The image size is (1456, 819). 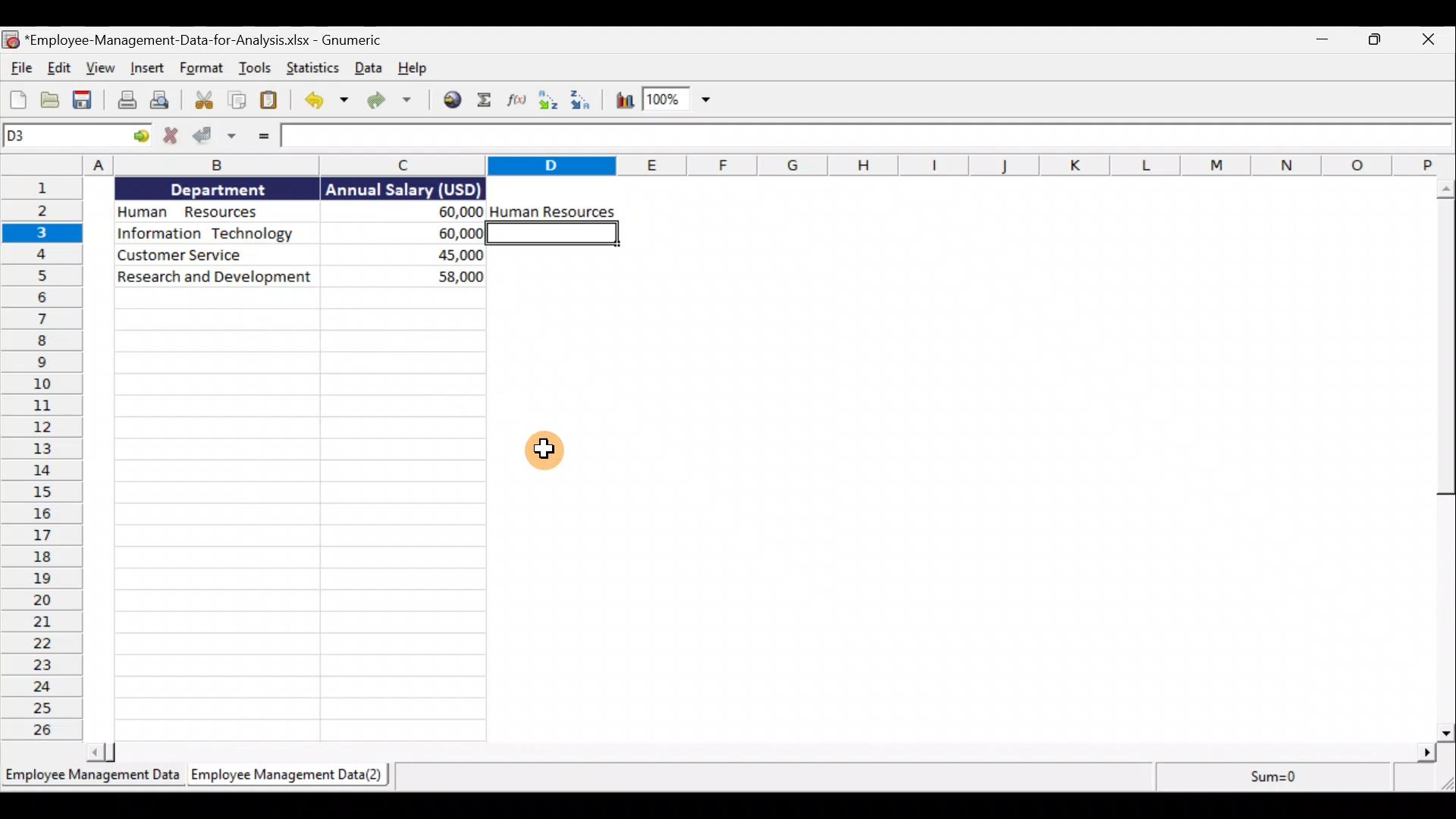 What do you see at coordinates (123, 102) in the screenshot?
I see `Print the current file` at bounding box center [123, 102].